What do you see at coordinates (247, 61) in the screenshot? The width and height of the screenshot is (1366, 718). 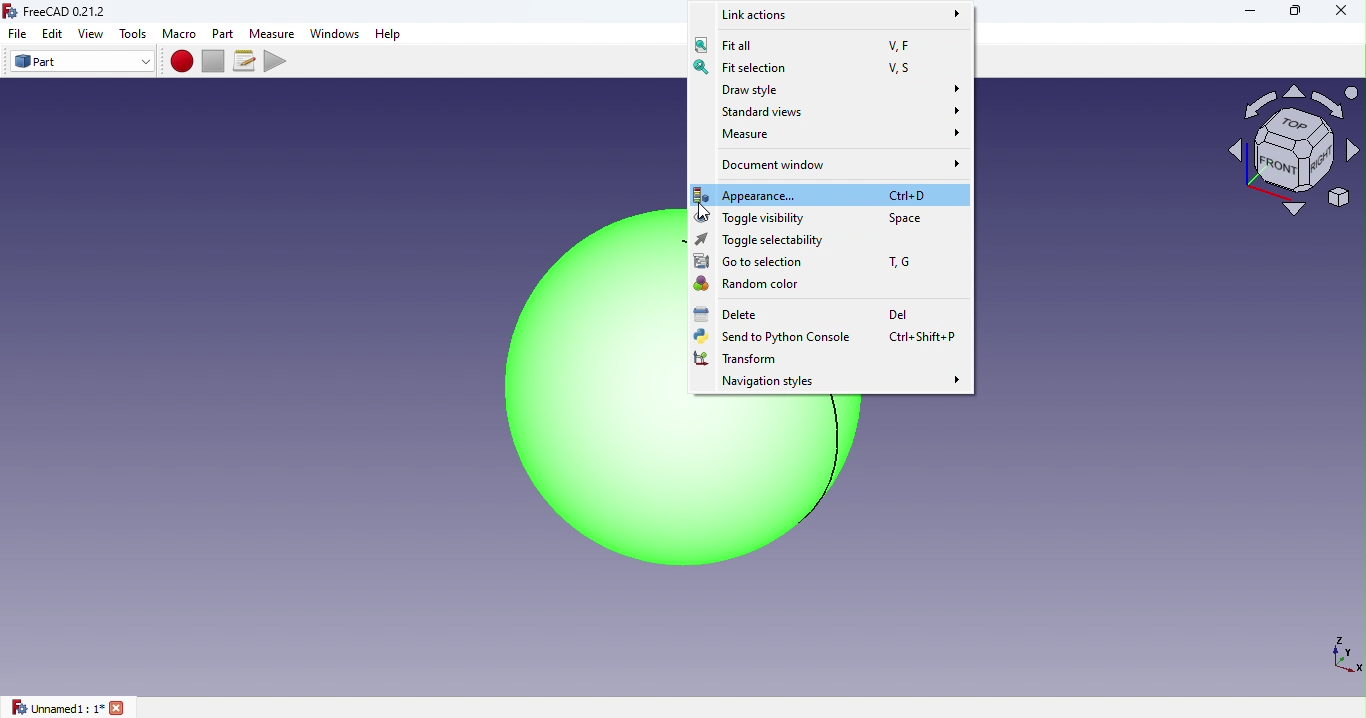 I see `Macros` at bounding box center [247, 61].